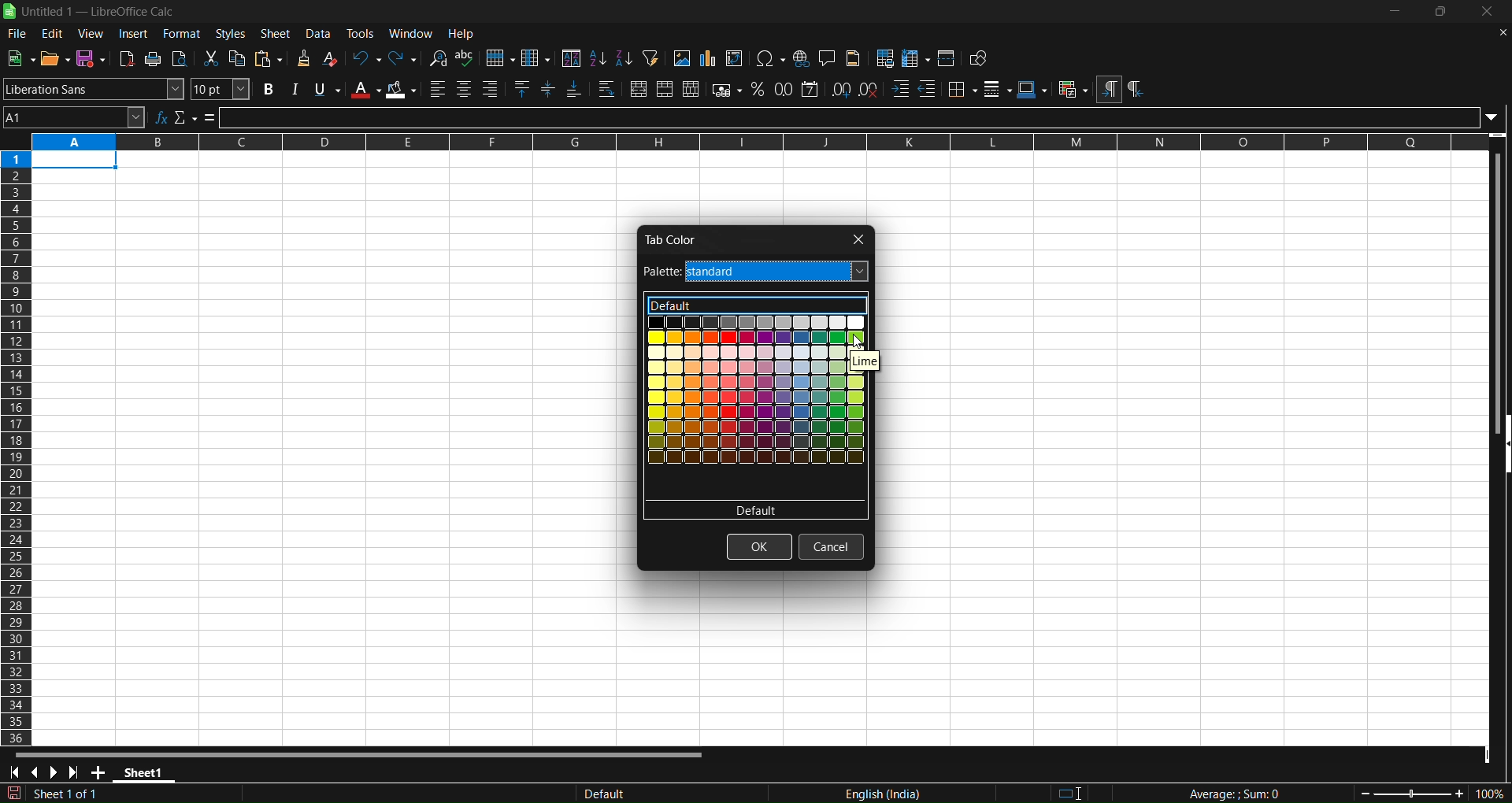 The height and width of the screenshot is (803, 1512). I want to click on wrap text, so click(607, 91).